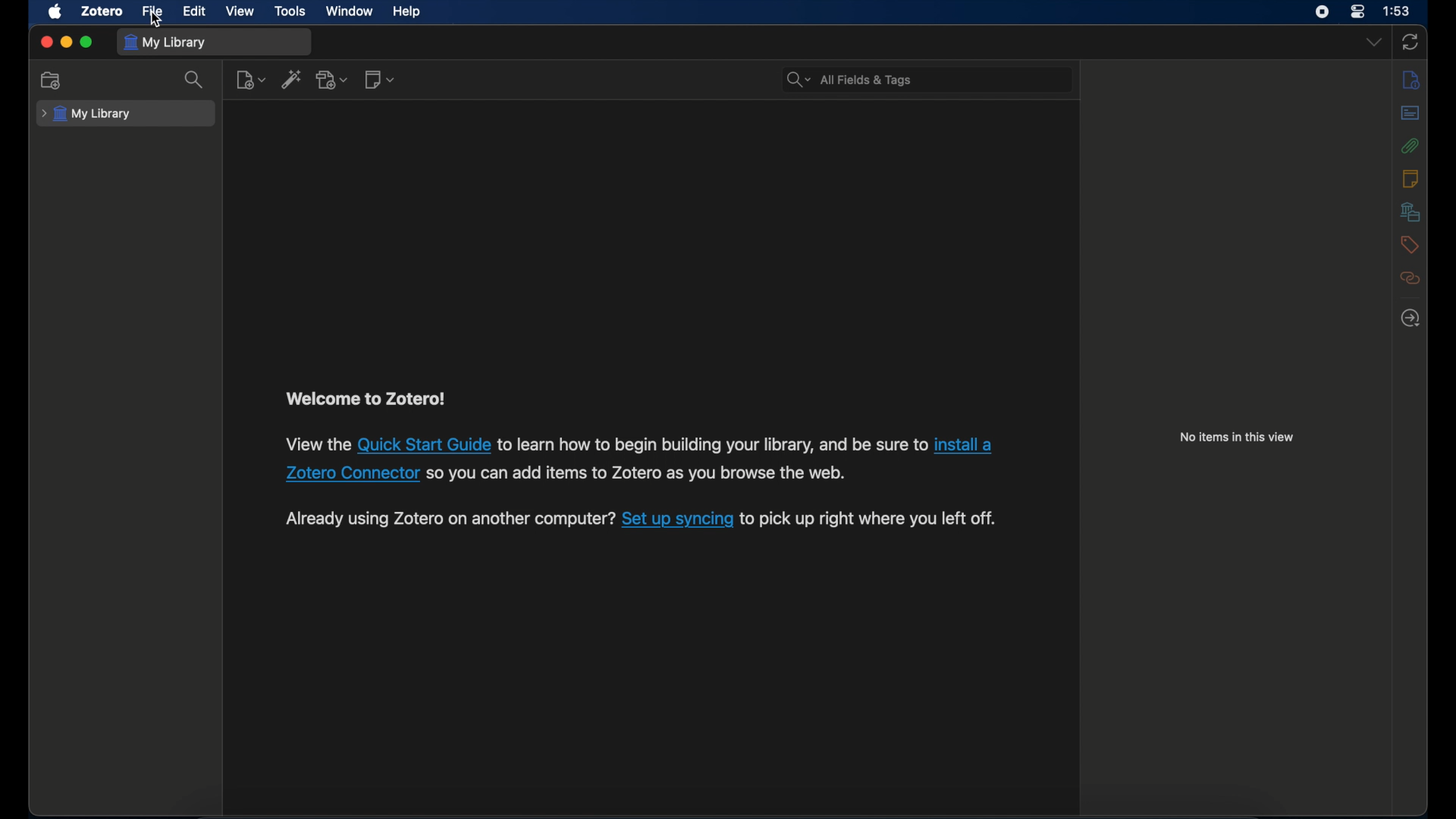  Describe the element at coordinates (366, 399) in the screenshot. I see `welcome to zotero` at that location.